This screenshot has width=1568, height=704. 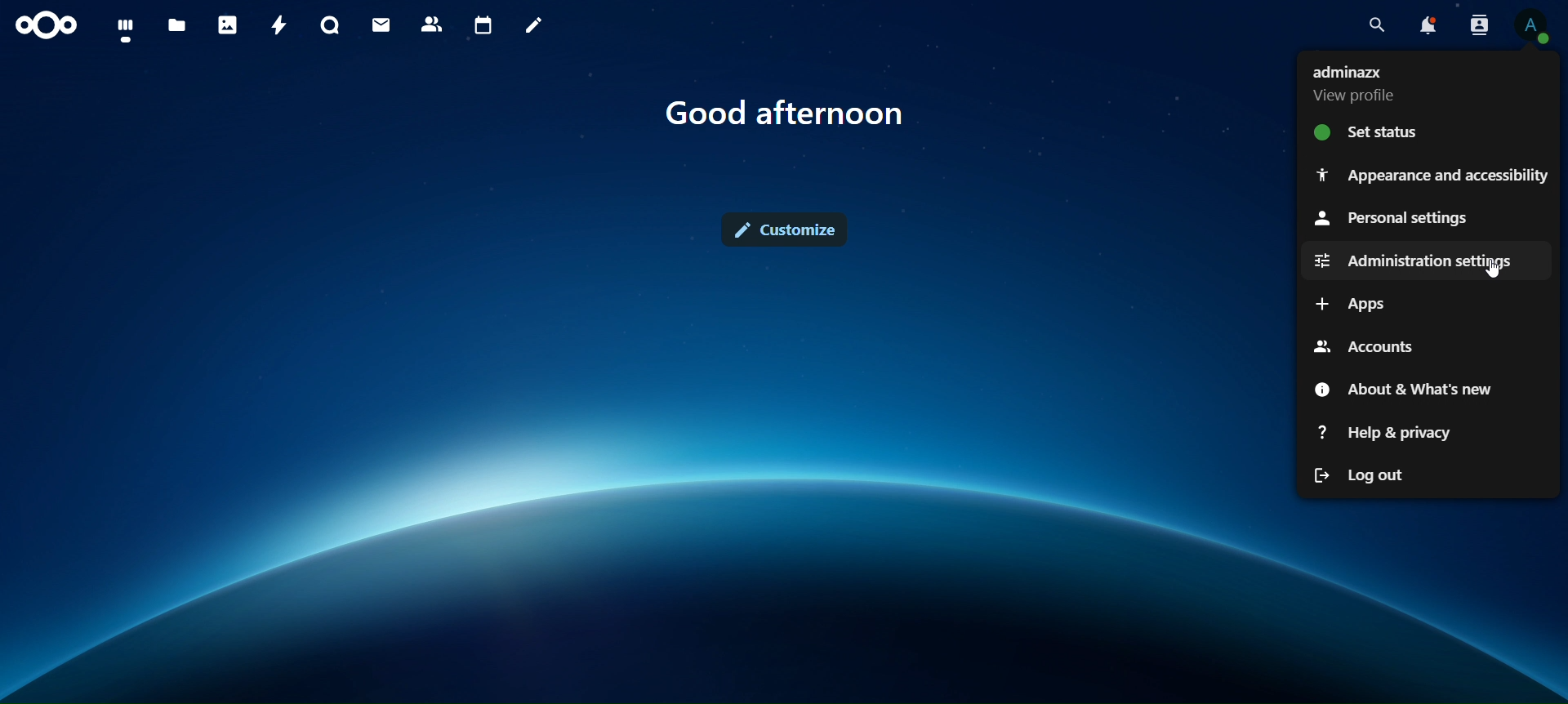 What do you see at coordinates (1387, 431) in the screenshot?
I see `help & privacy` at bounding box center [1387, 431].